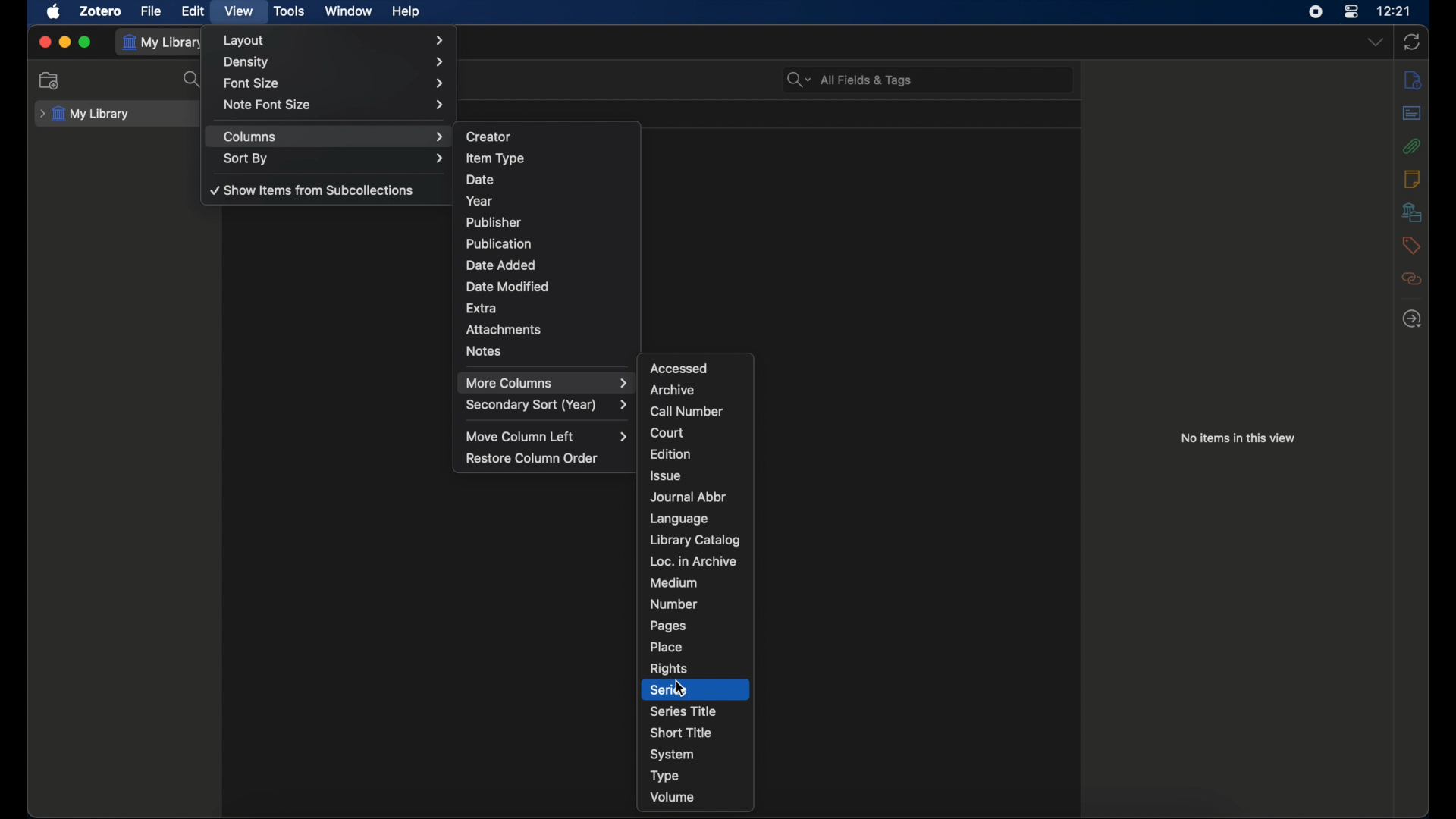 This screenshot has height=819, width=1456. I want to click on control center, so click(1351, 12).